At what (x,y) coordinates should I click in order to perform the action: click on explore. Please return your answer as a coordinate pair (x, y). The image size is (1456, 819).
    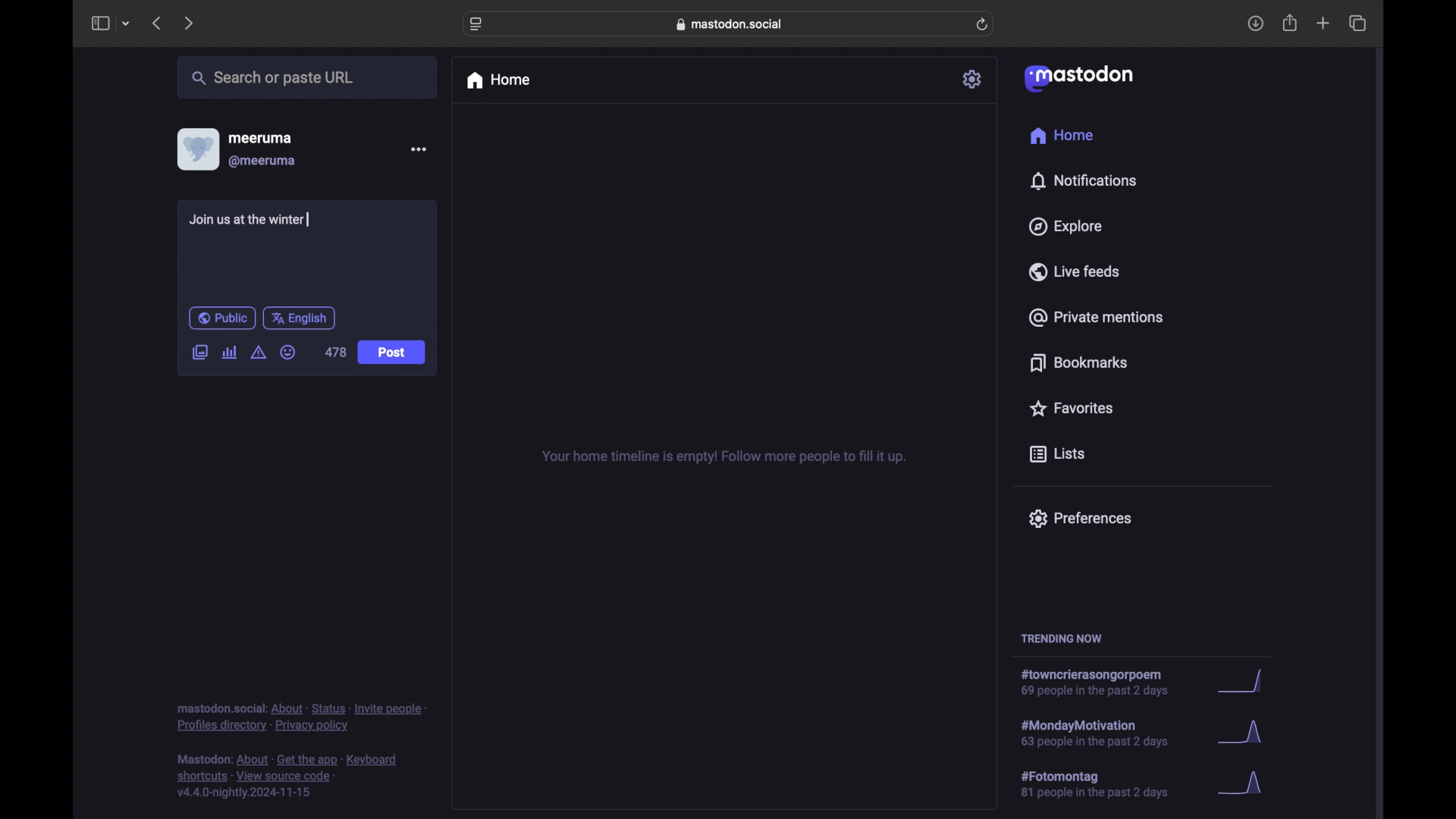
    Looking at the image, I should click on (1064, 227).